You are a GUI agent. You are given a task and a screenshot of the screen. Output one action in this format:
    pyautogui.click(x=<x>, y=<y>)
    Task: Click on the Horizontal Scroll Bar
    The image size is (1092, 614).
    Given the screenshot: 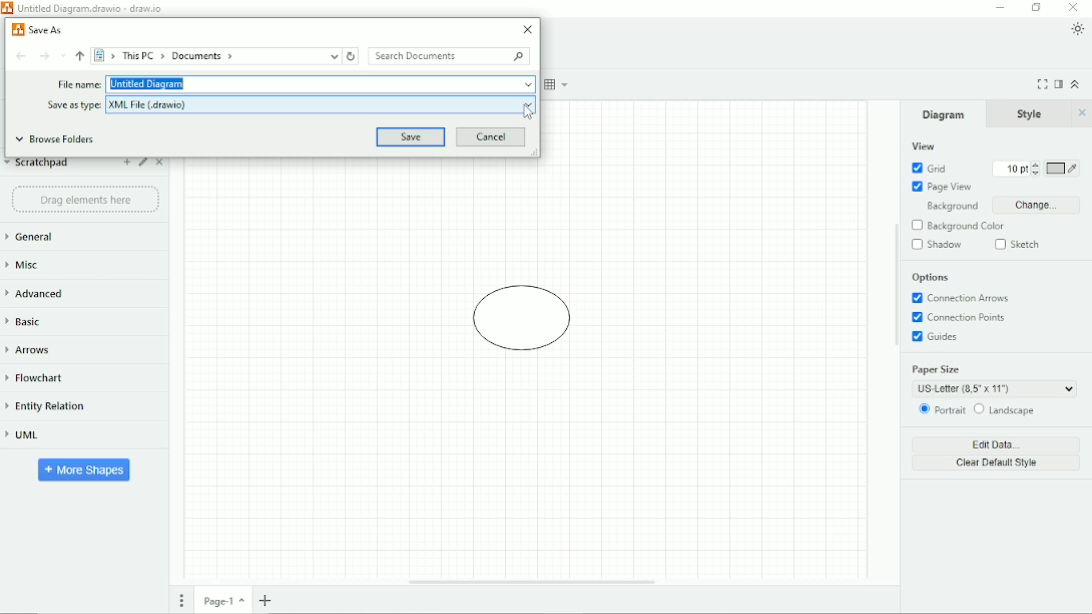 What is the action you would take?
    pyautogui.click(x=530, y=582)
    